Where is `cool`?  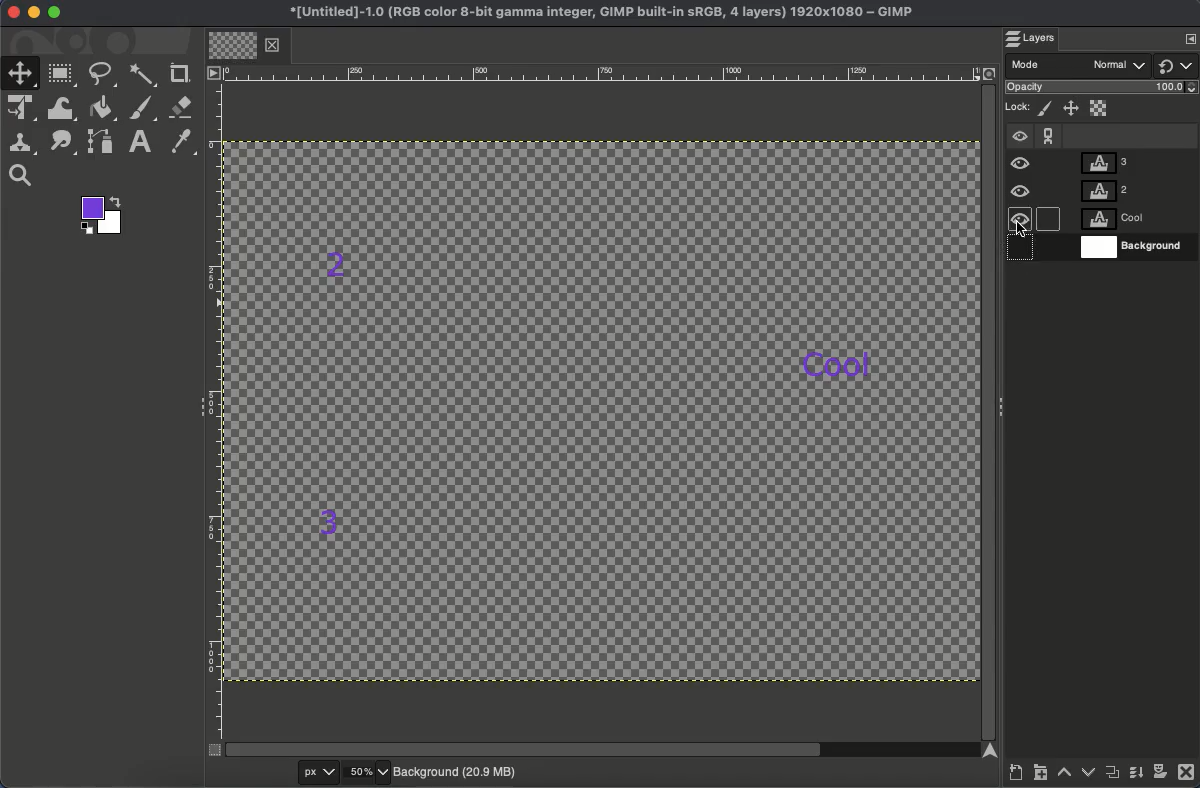
cool is located at coordinates (842, 359).